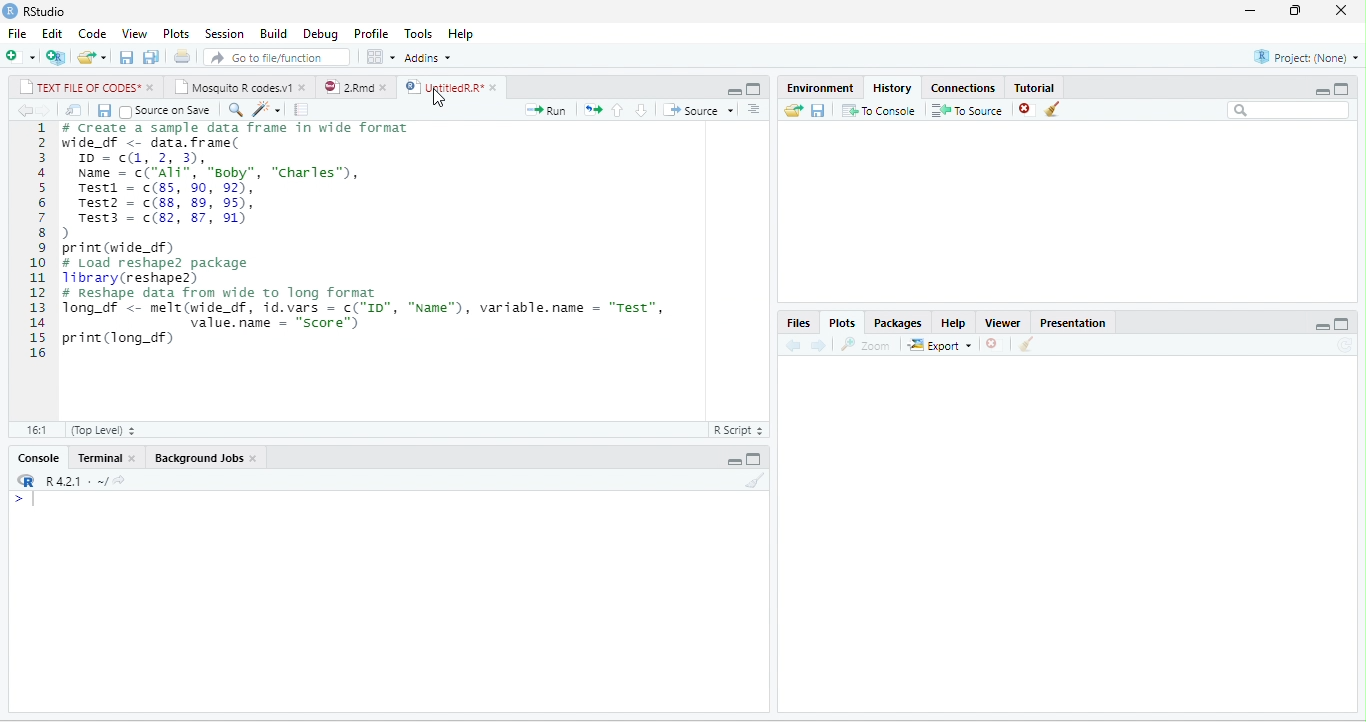 This screenshot has width=1366, height=722. I want to click on # Reshape data from wide to long format

Tong_df <- melt(wide_df, id.vars = c("ID", "Name"), variable.name = "Test",
value.name = “score”)

print(long_df), so click(375, 316).